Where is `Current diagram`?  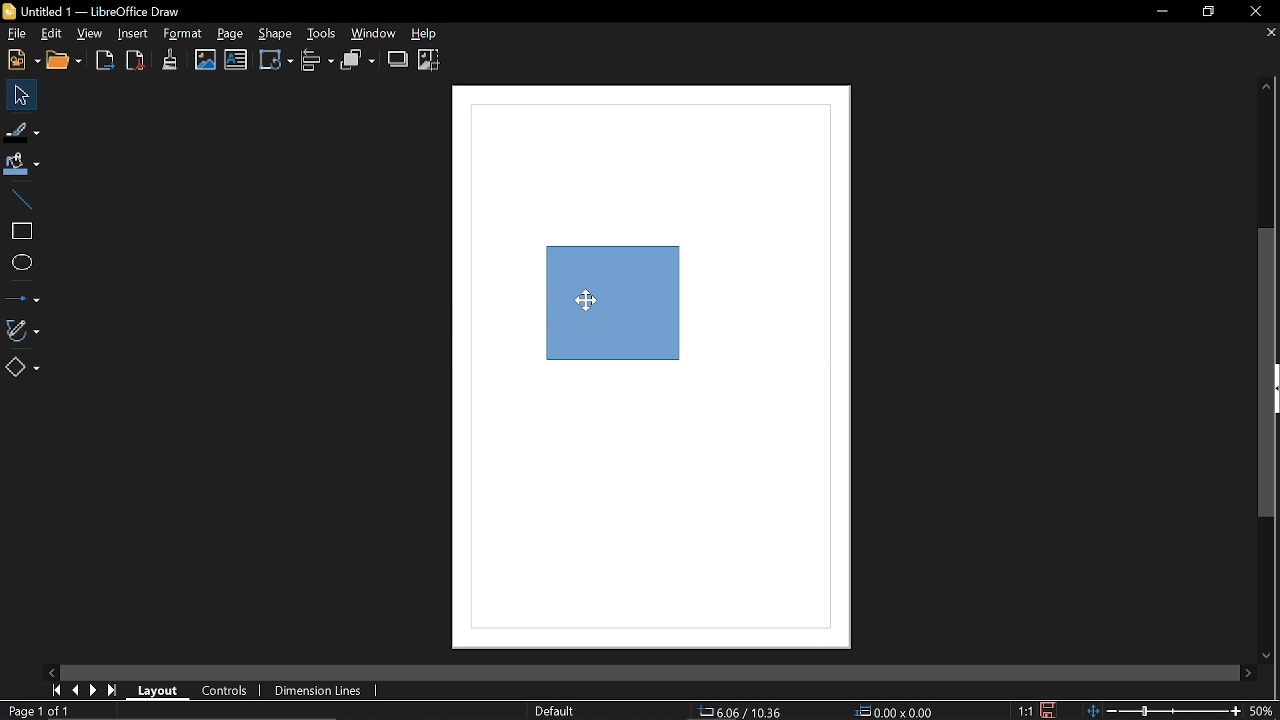 Current diagram is located at coordinates (614, 321).